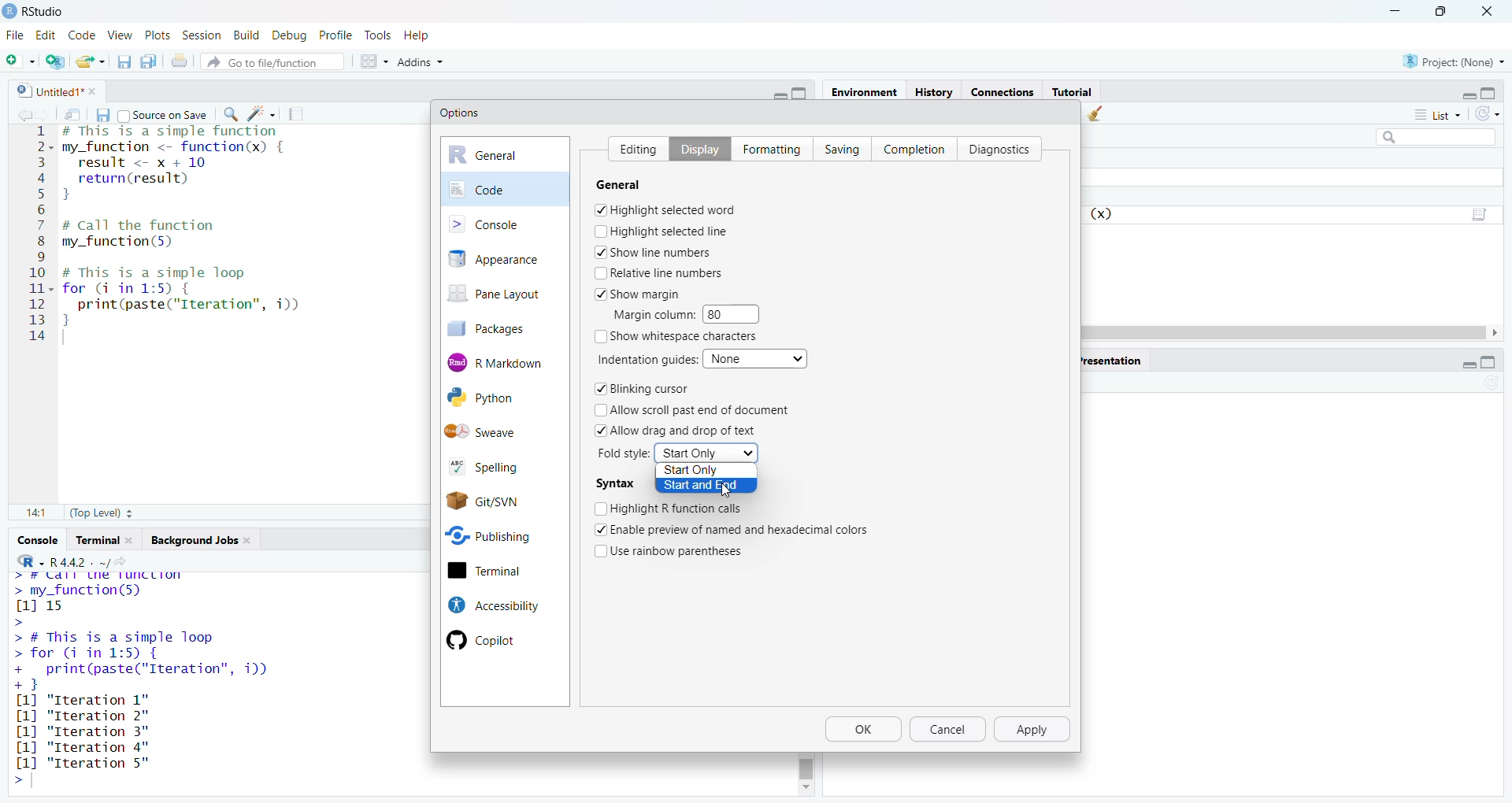  I want to click on Ok, so click(864, 731).